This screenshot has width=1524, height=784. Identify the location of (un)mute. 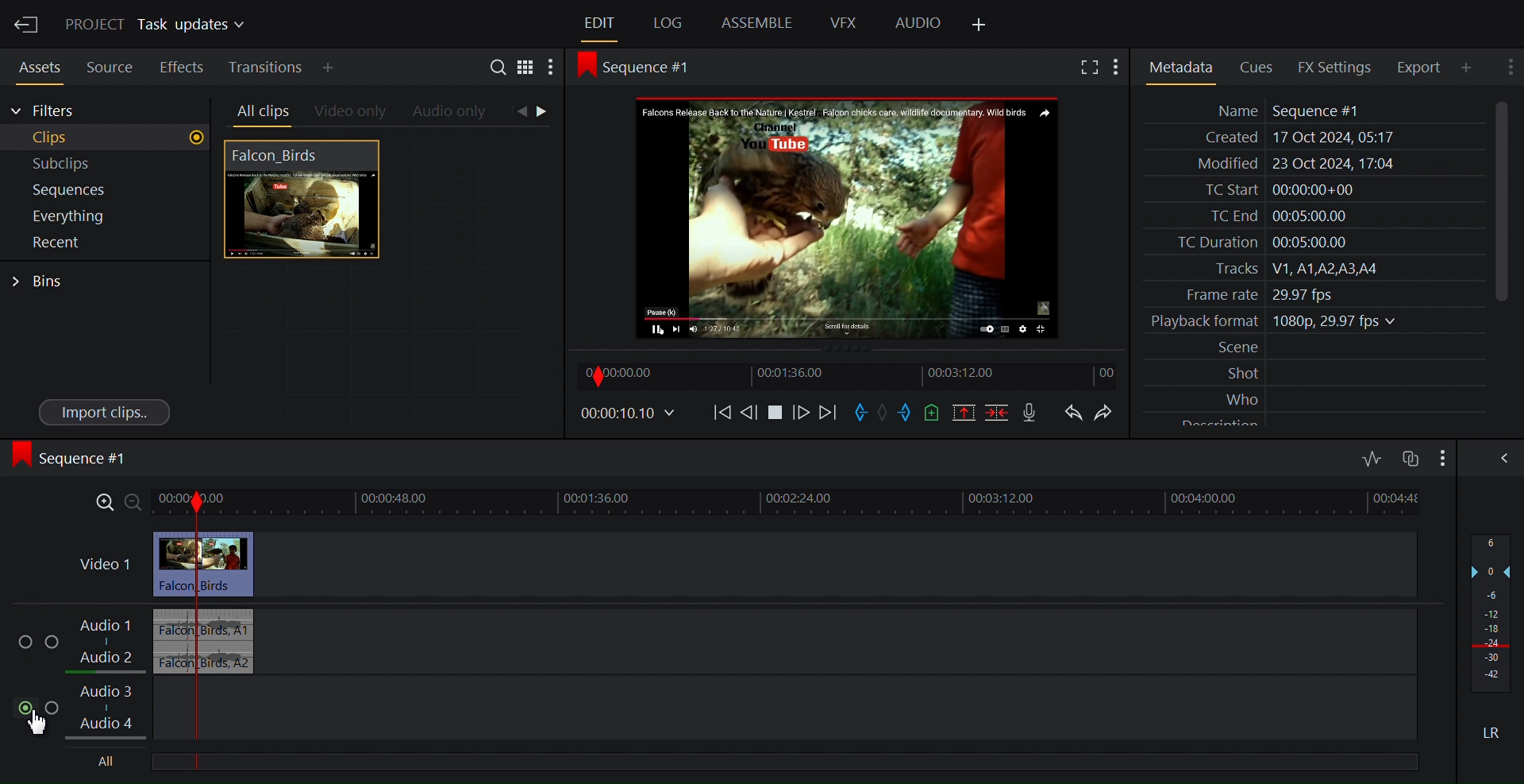
(26, 643).